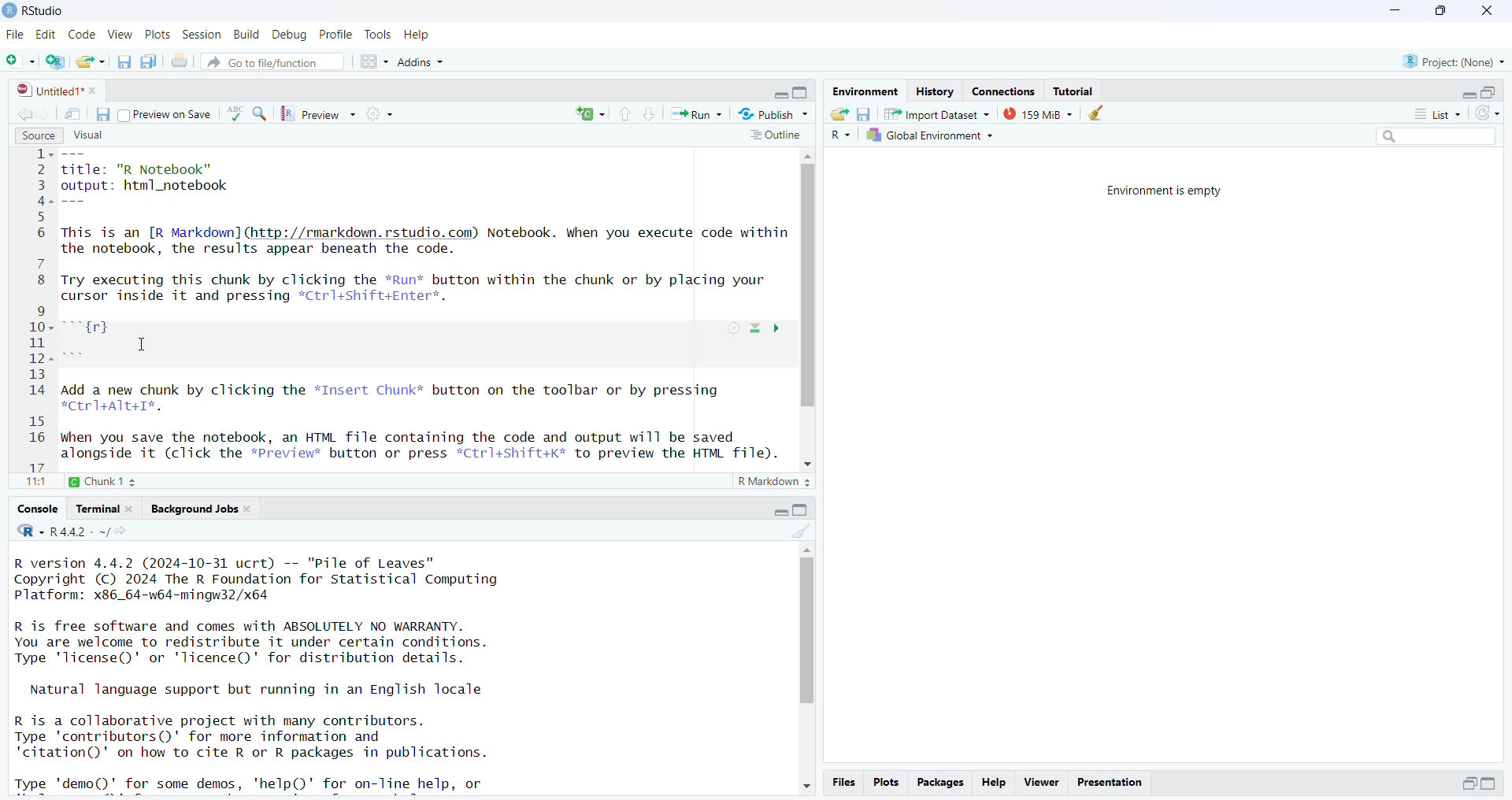  Describe the element at coordinates (159, 35) in the screenshot. I see `plots` at that location.